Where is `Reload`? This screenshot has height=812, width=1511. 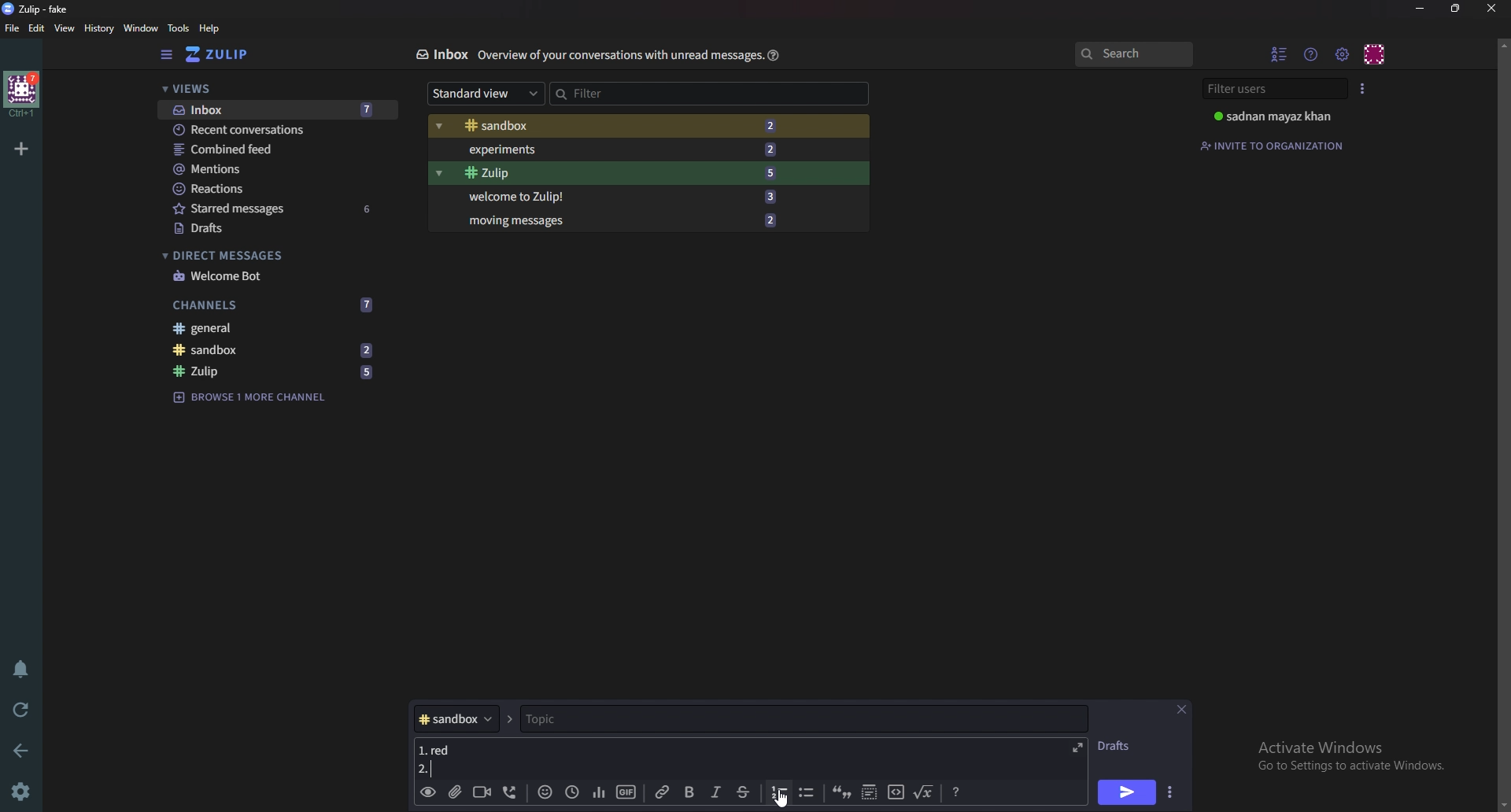
Reload is located at coordinates (24, 708).